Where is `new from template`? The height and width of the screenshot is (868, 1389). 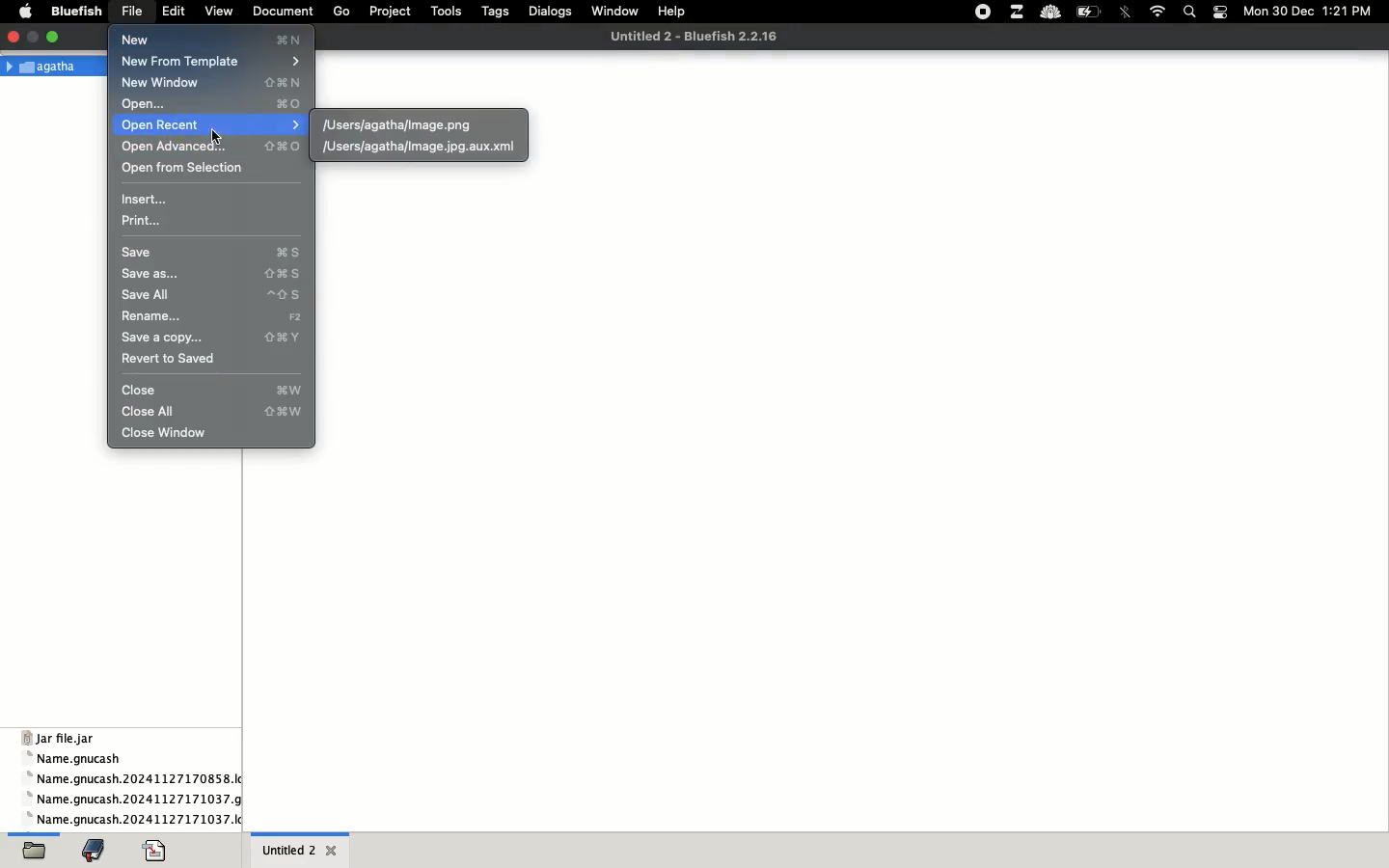
new from template is located at coordinates (212, 61).